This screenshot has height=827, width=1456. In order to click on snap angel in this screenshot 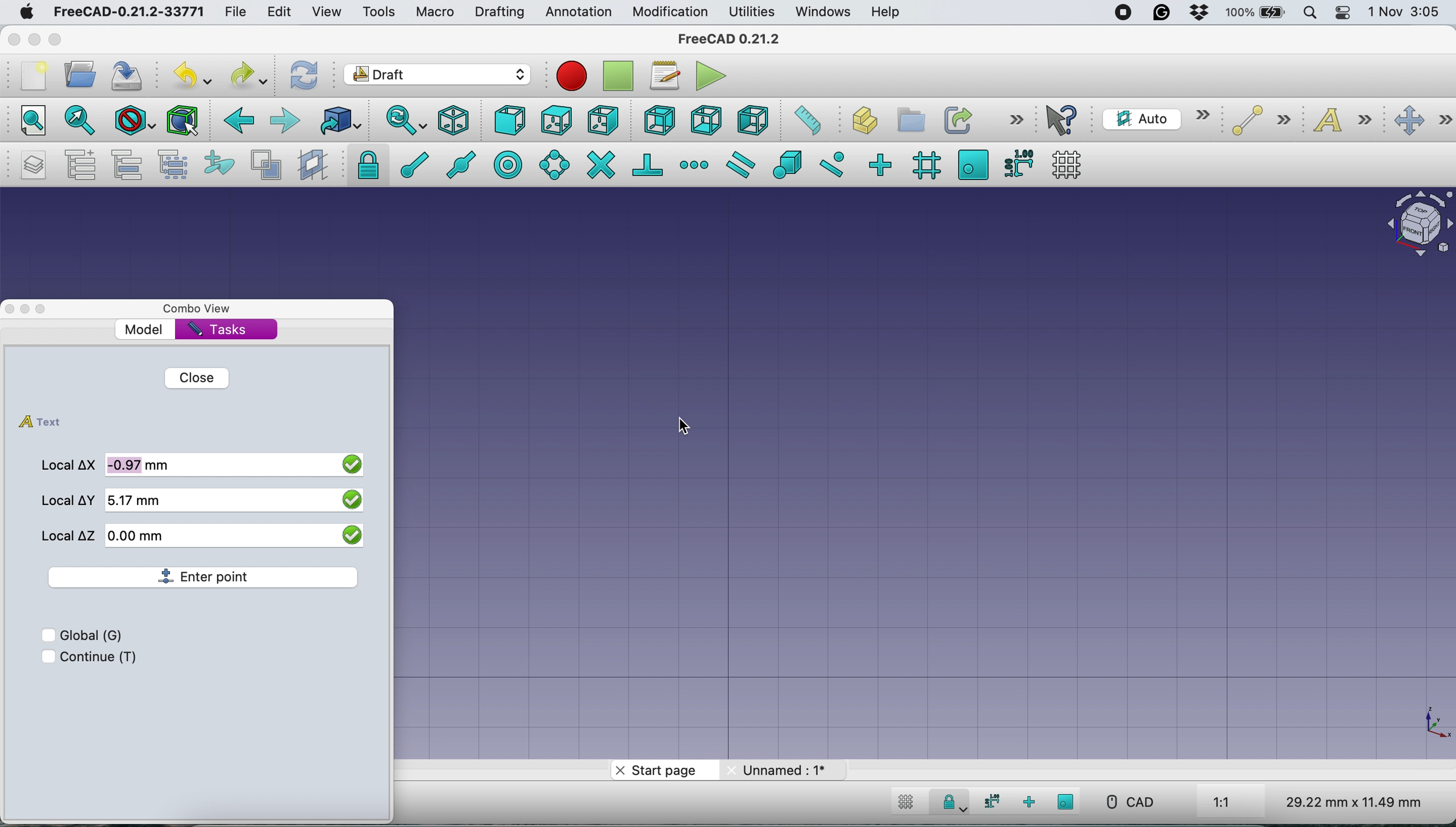, I will do `click(552, 163)`.